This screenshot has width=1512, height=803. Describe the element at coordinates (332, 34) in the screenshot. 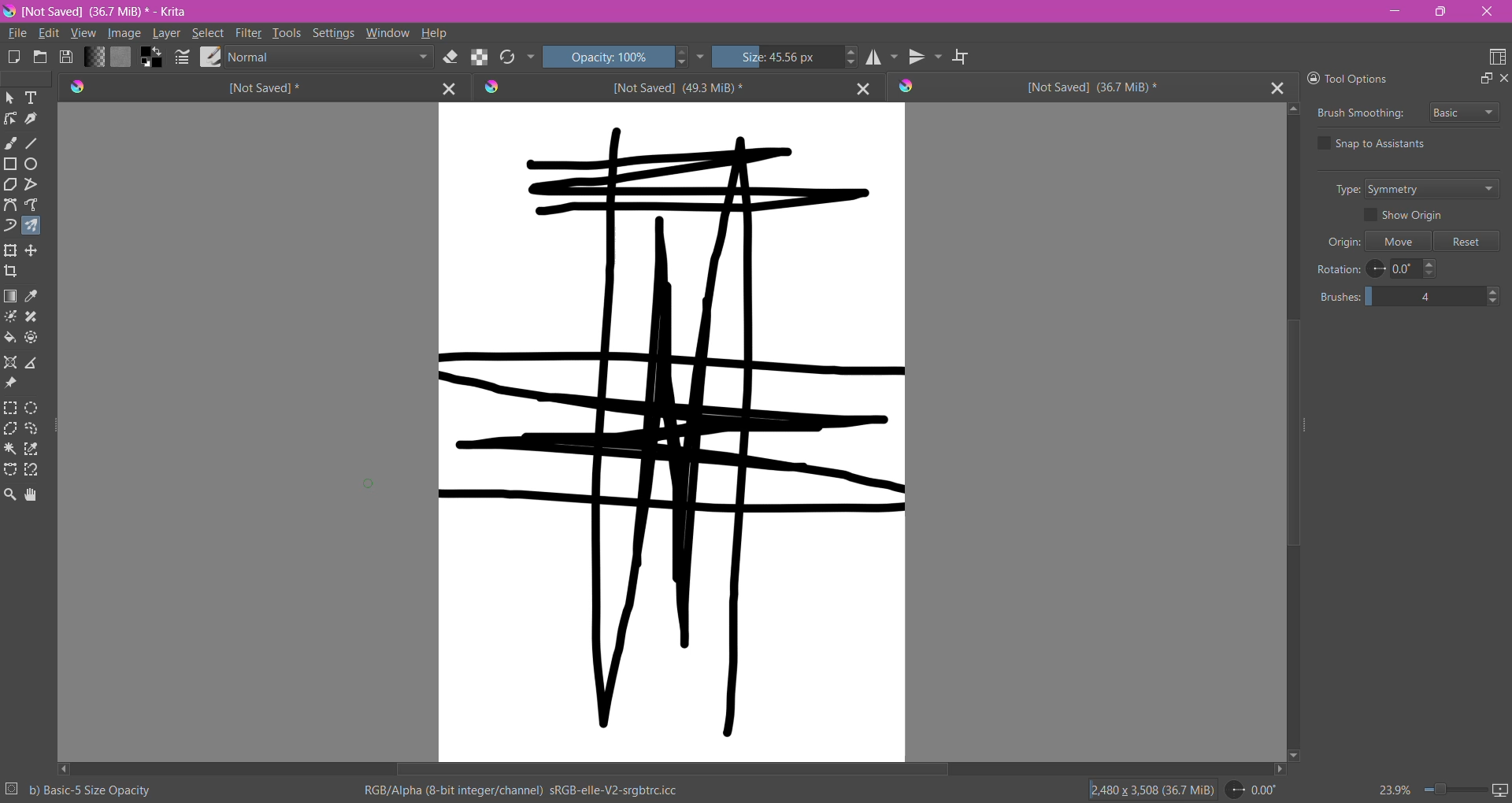

I see `` at that location.